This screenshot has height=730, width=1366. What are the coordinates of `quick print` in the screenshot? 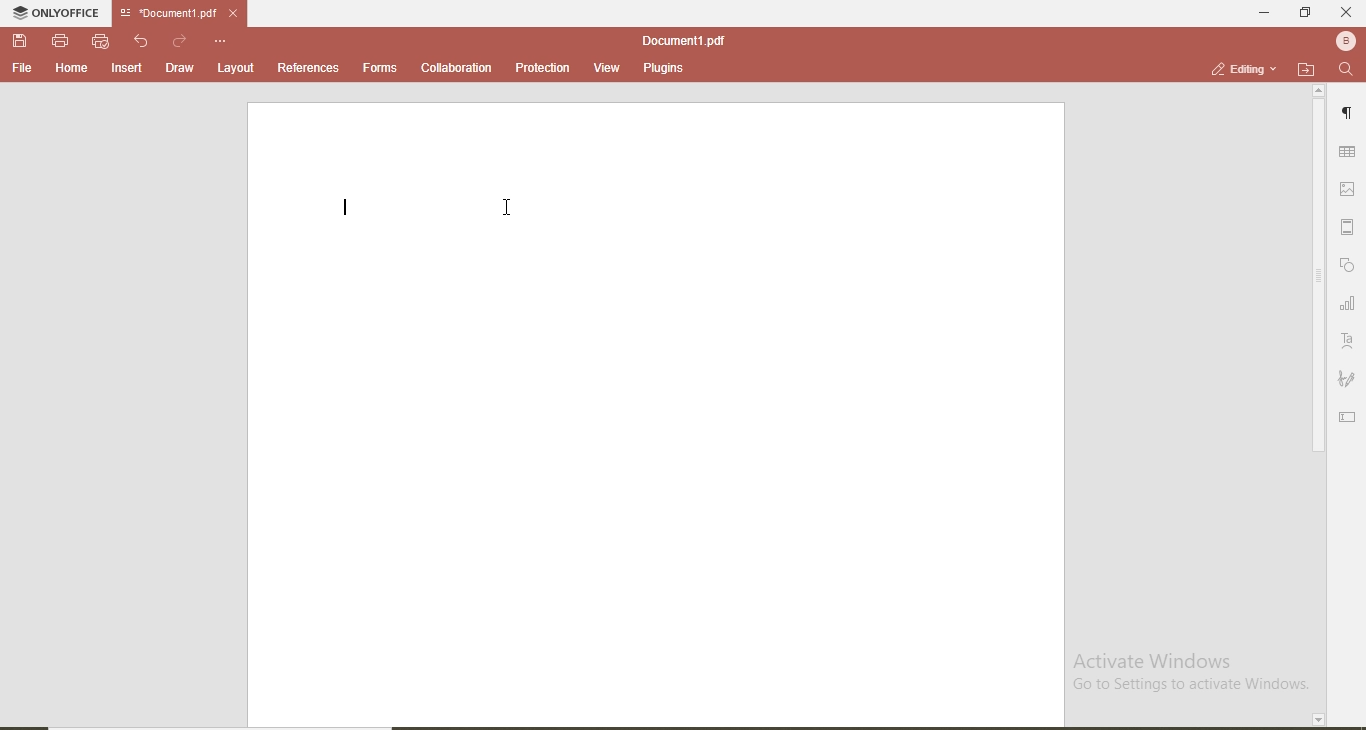 It's located at (100, 42).